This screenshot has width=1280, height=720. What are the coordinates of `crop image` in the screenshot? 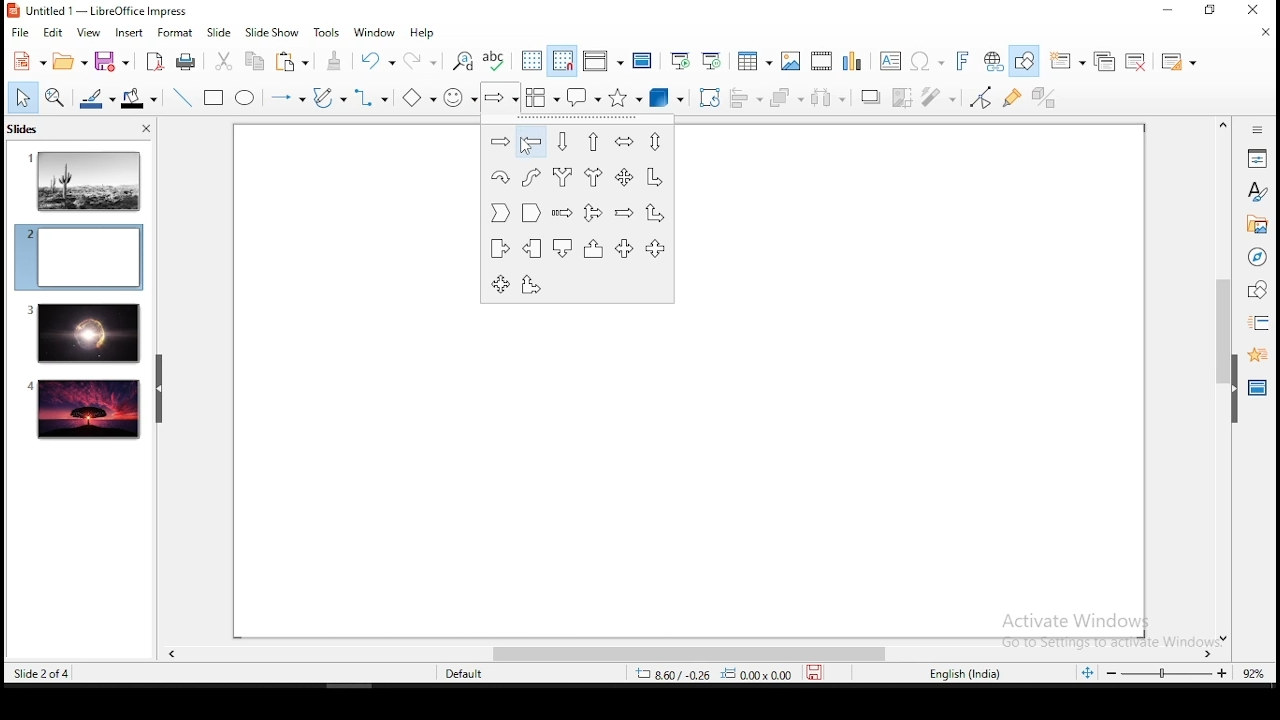 It's located at (906, 96).